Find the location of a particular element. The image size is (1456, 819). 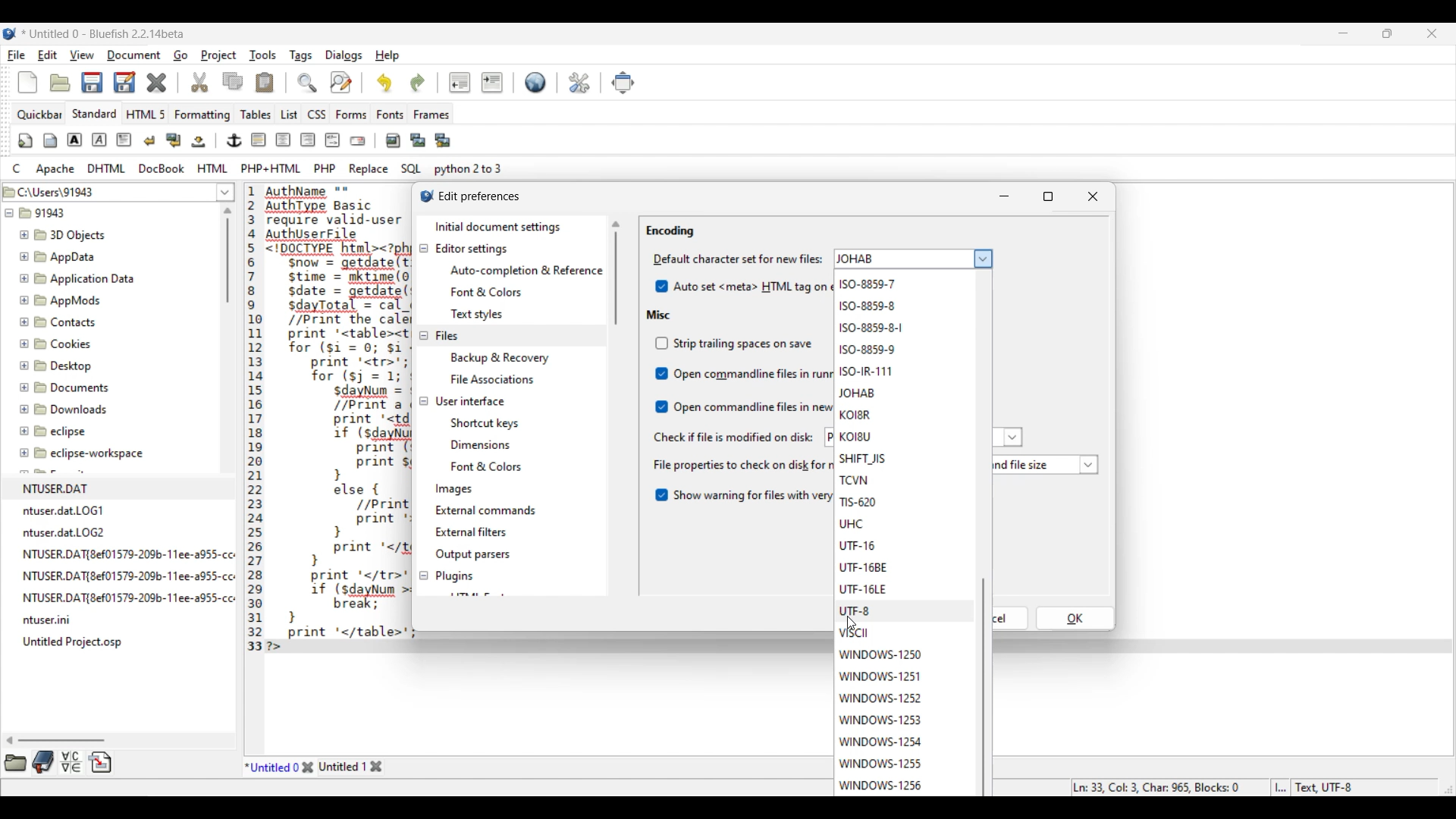

Move is located at coordinates (623, 83).